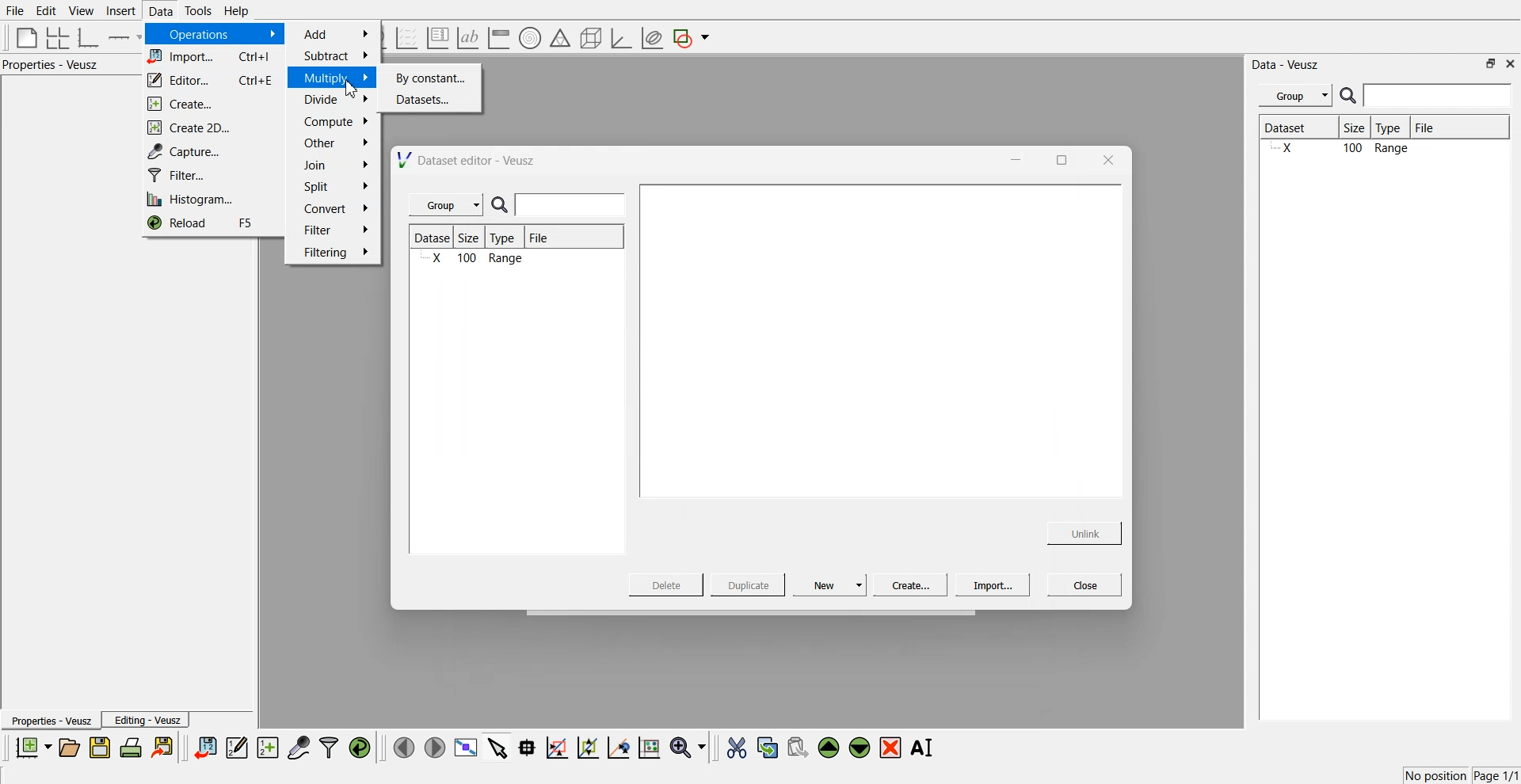  I want to click on draw a rectangle on zoom graph axes, so click(556, 746).